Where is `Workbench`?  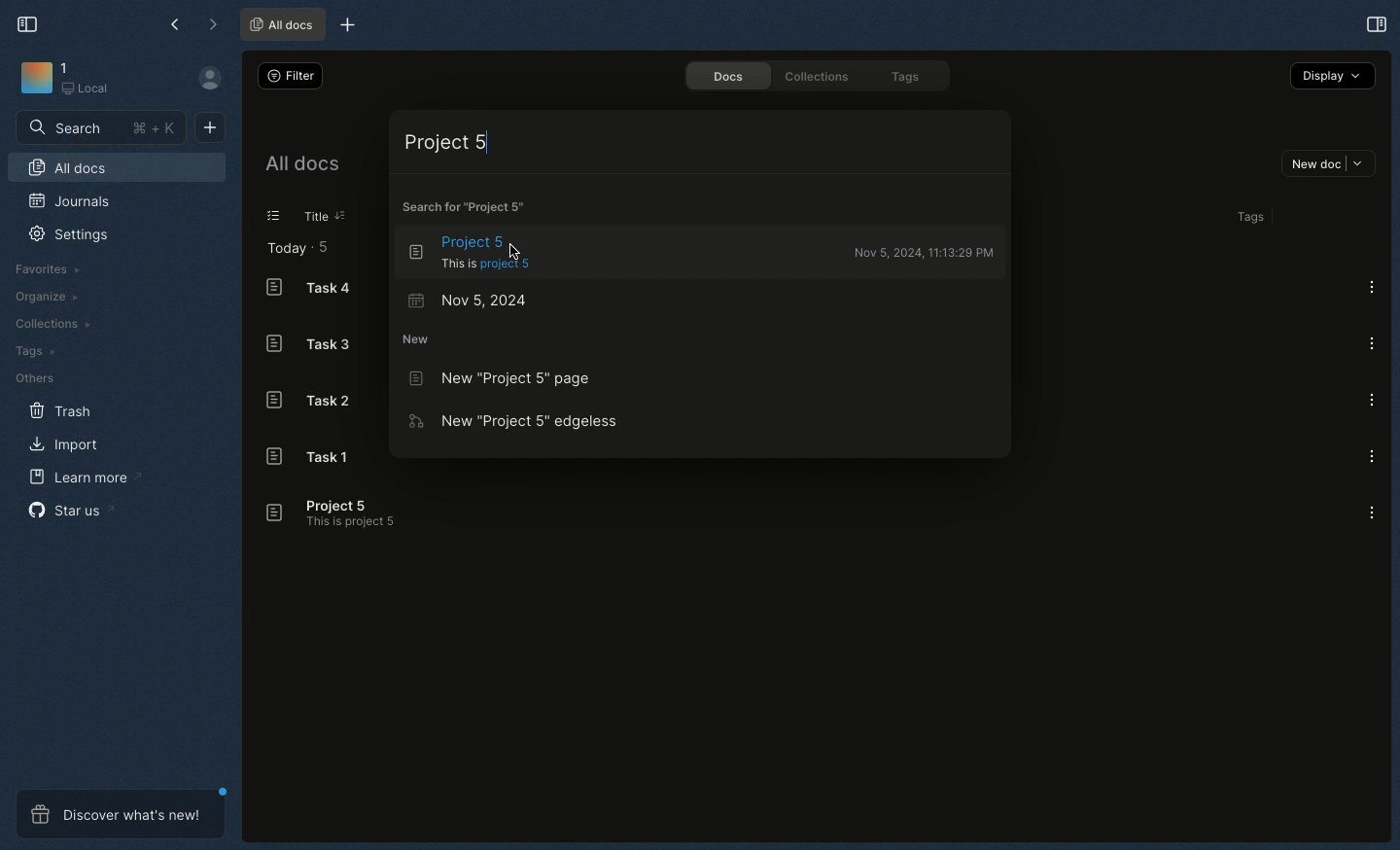 Workbench is located at coordinates (78, 82).